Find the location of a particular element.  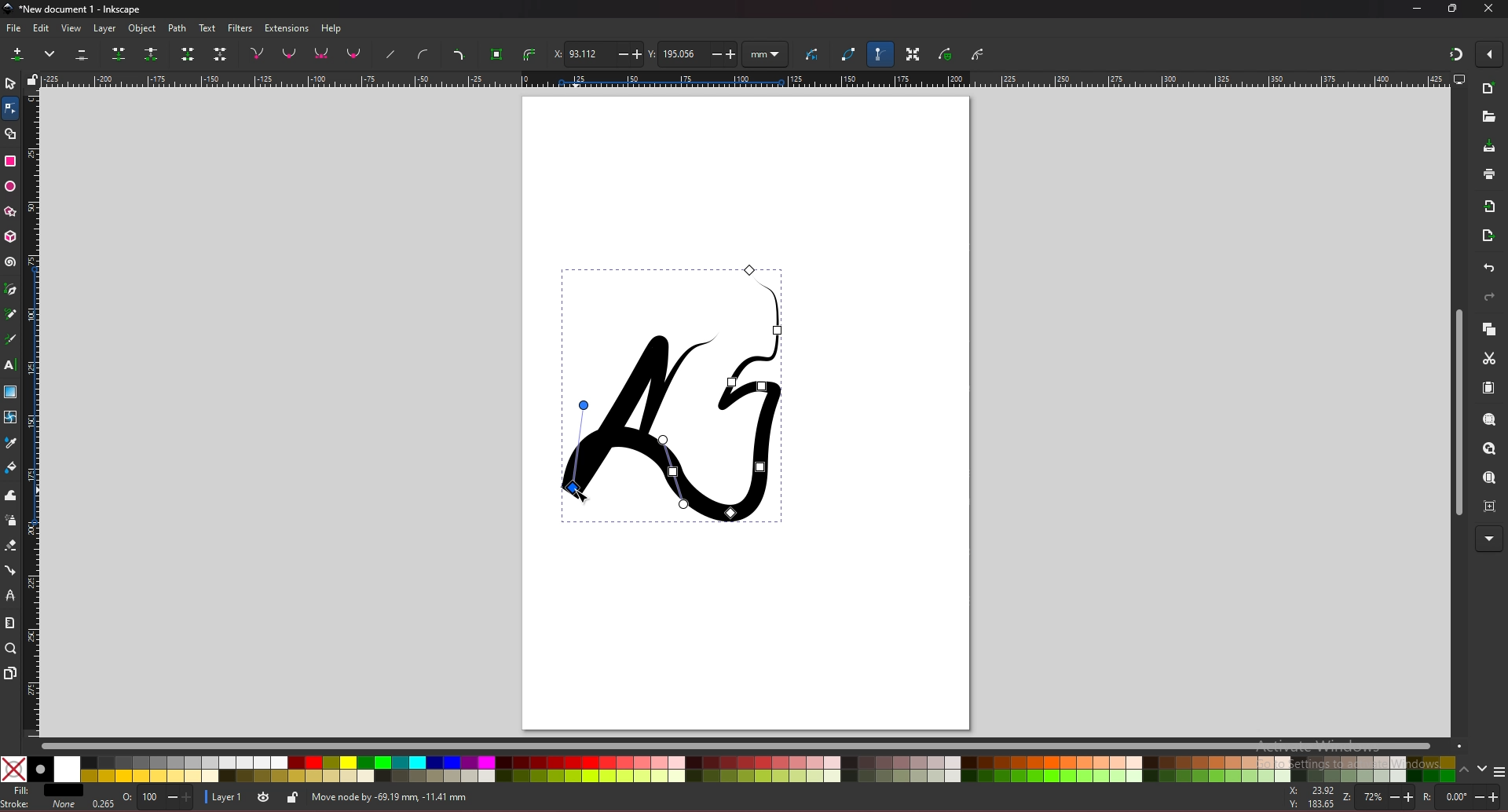

cut is located at coordinates (1490, 358).